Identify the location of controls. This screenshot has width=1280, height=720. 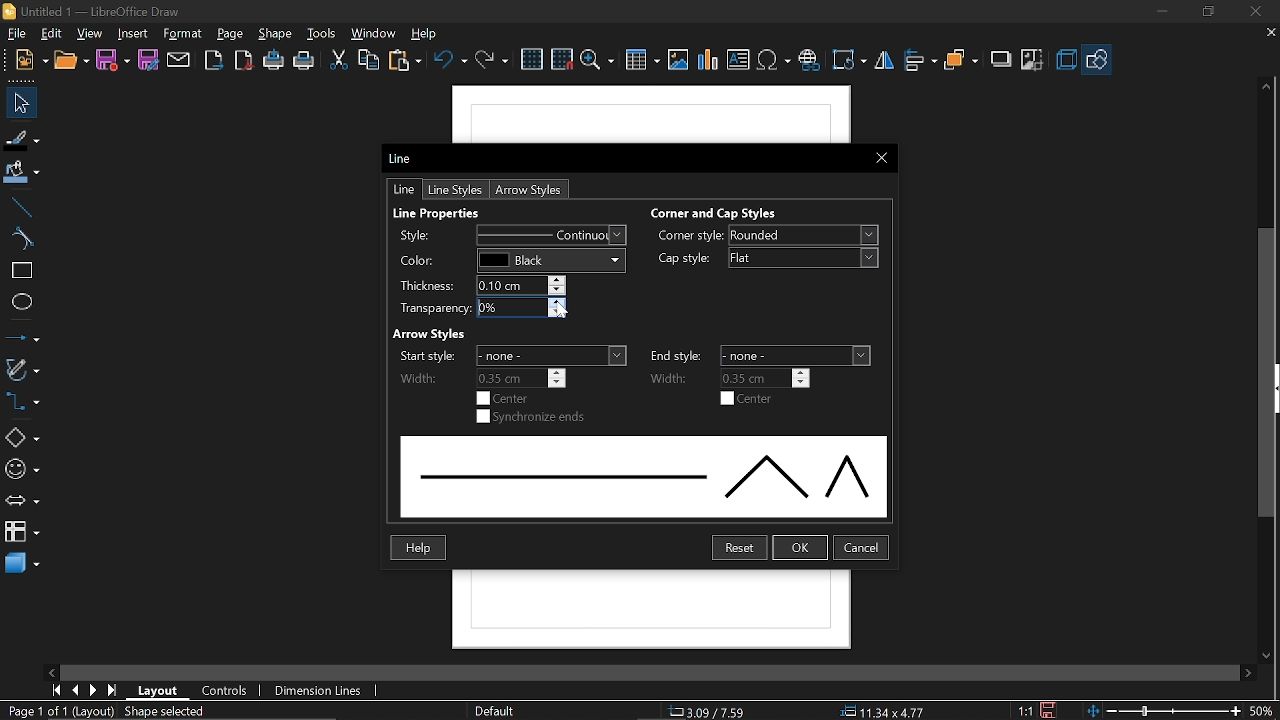
(225, 692).